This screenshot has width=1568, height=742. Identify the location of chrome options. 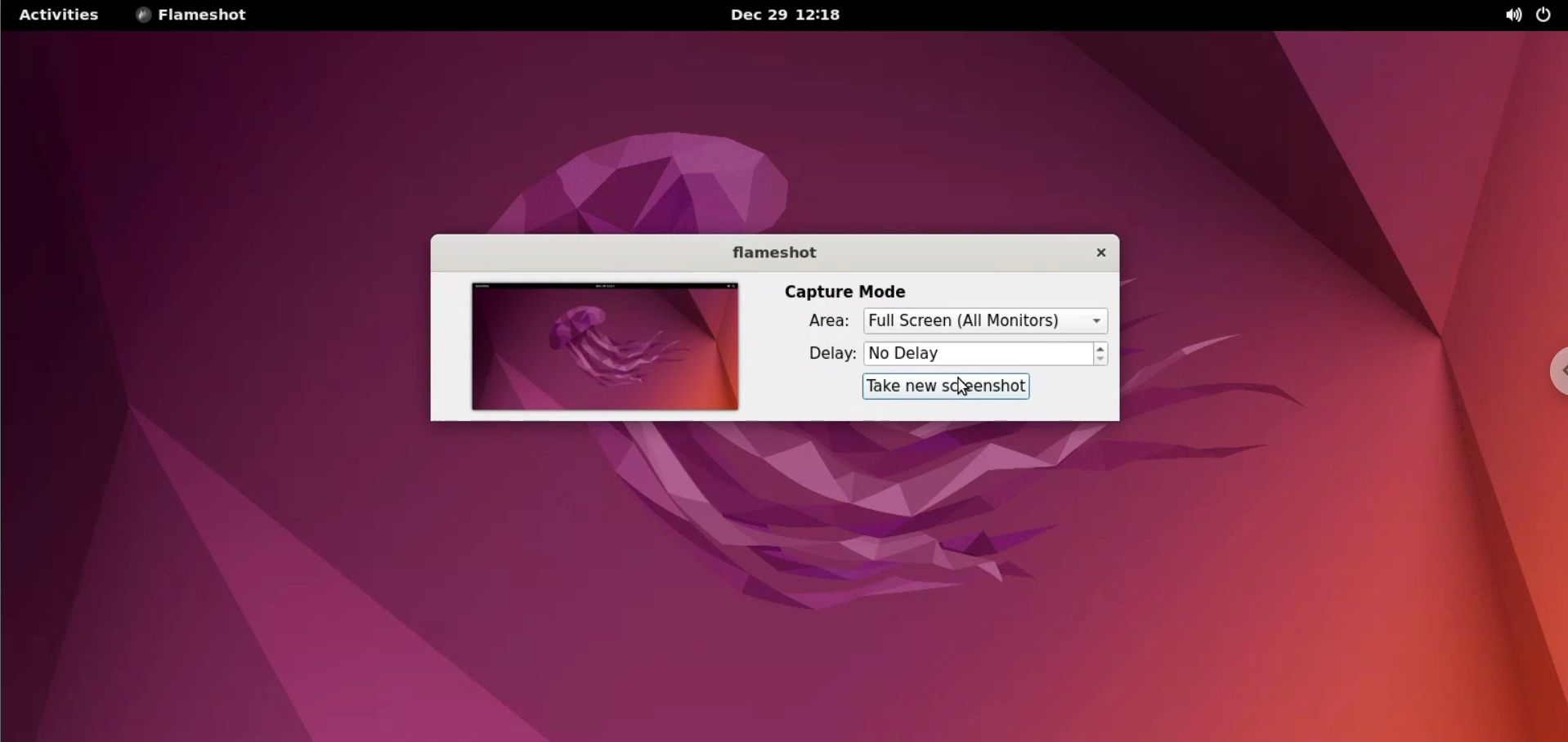
(1558, 369).